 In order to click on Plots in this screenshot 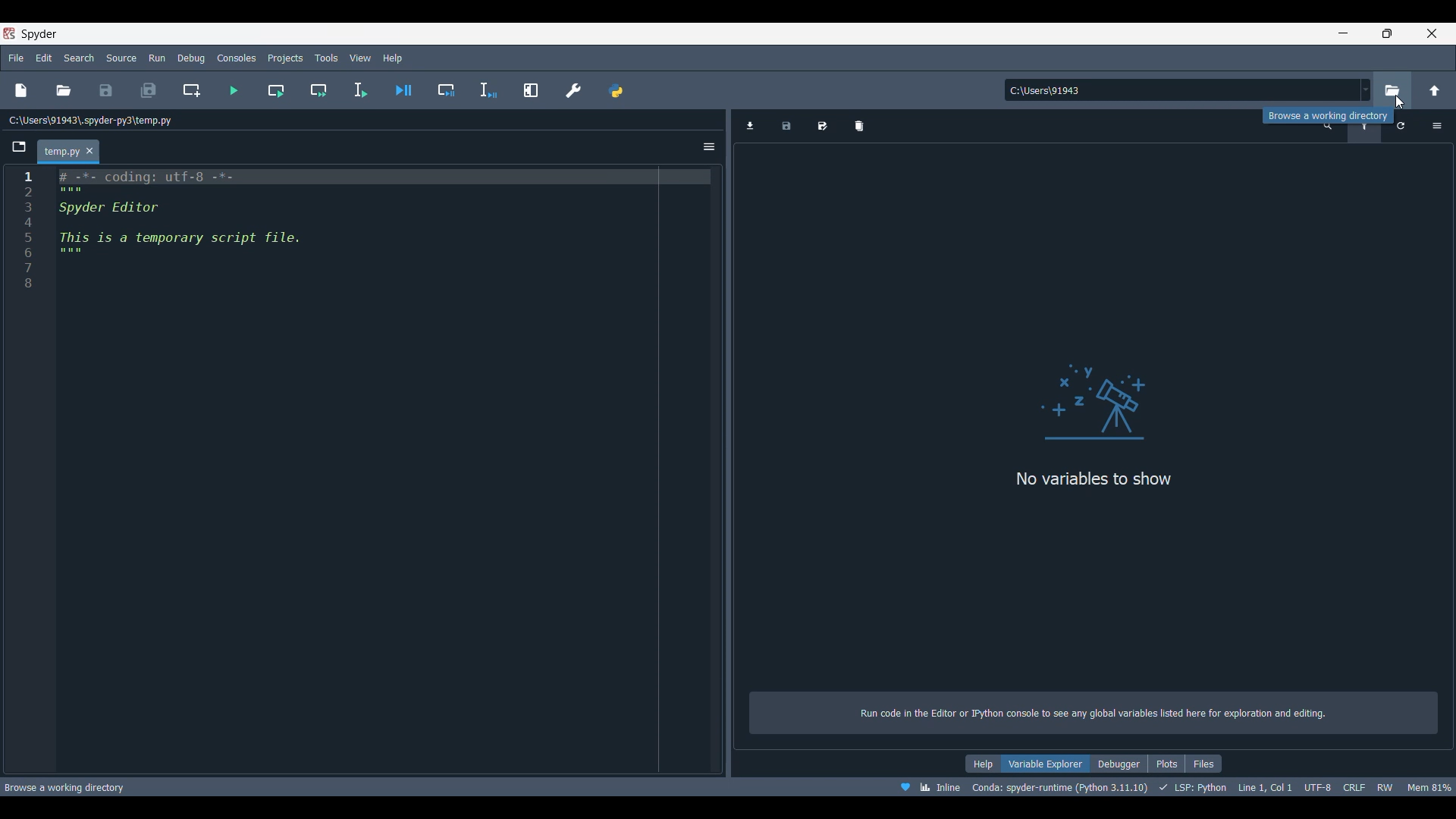, I will do `click(1166, 764)`.